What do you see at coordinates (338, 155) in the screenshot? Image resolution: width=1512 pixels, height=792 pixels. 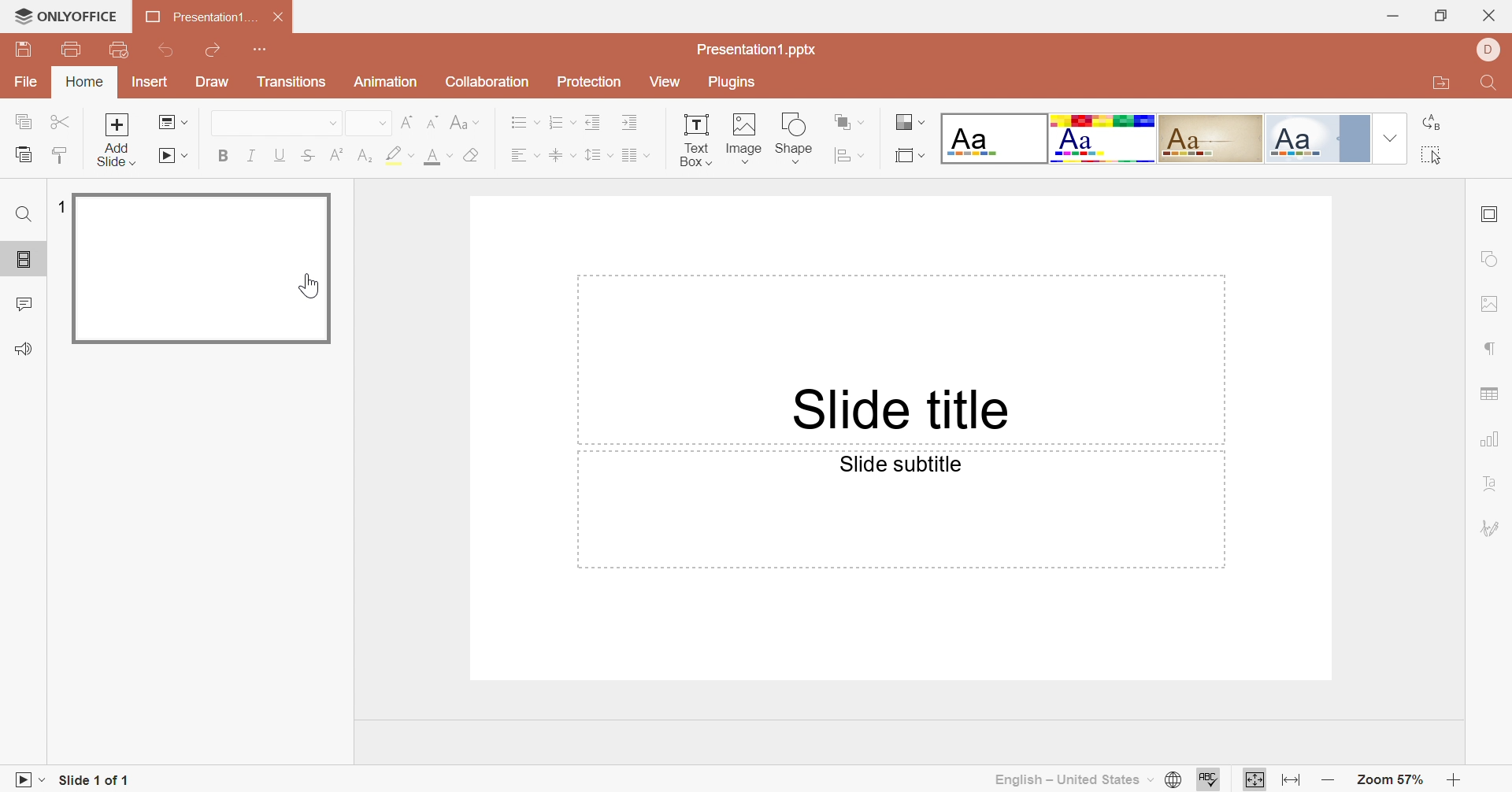 I see `Superscript` at bounding box center [338, 155].